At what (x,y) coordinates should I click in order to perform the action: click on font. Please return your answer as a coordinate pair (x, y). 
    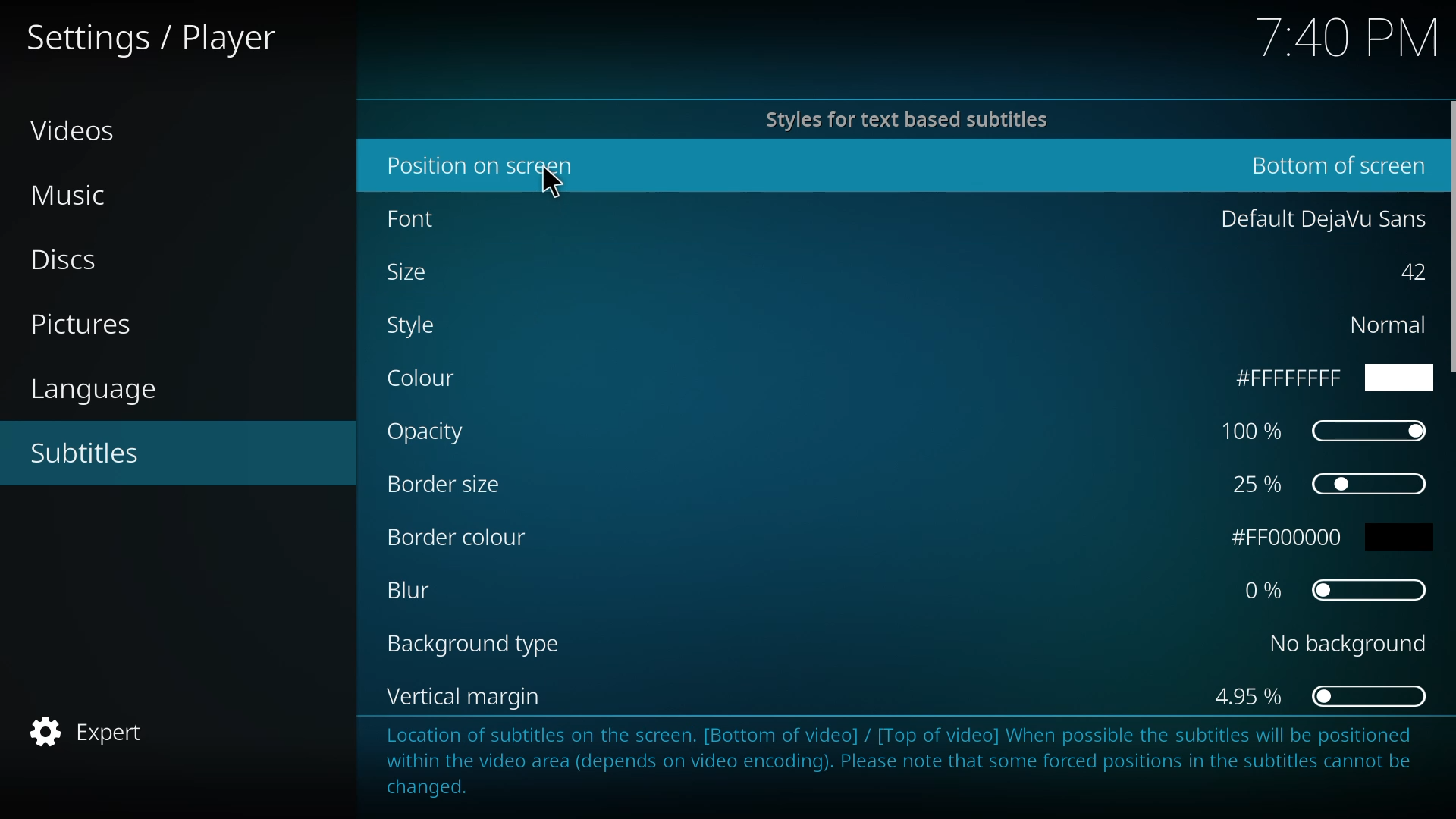
    Looking at the image, I should click on (417, 218).